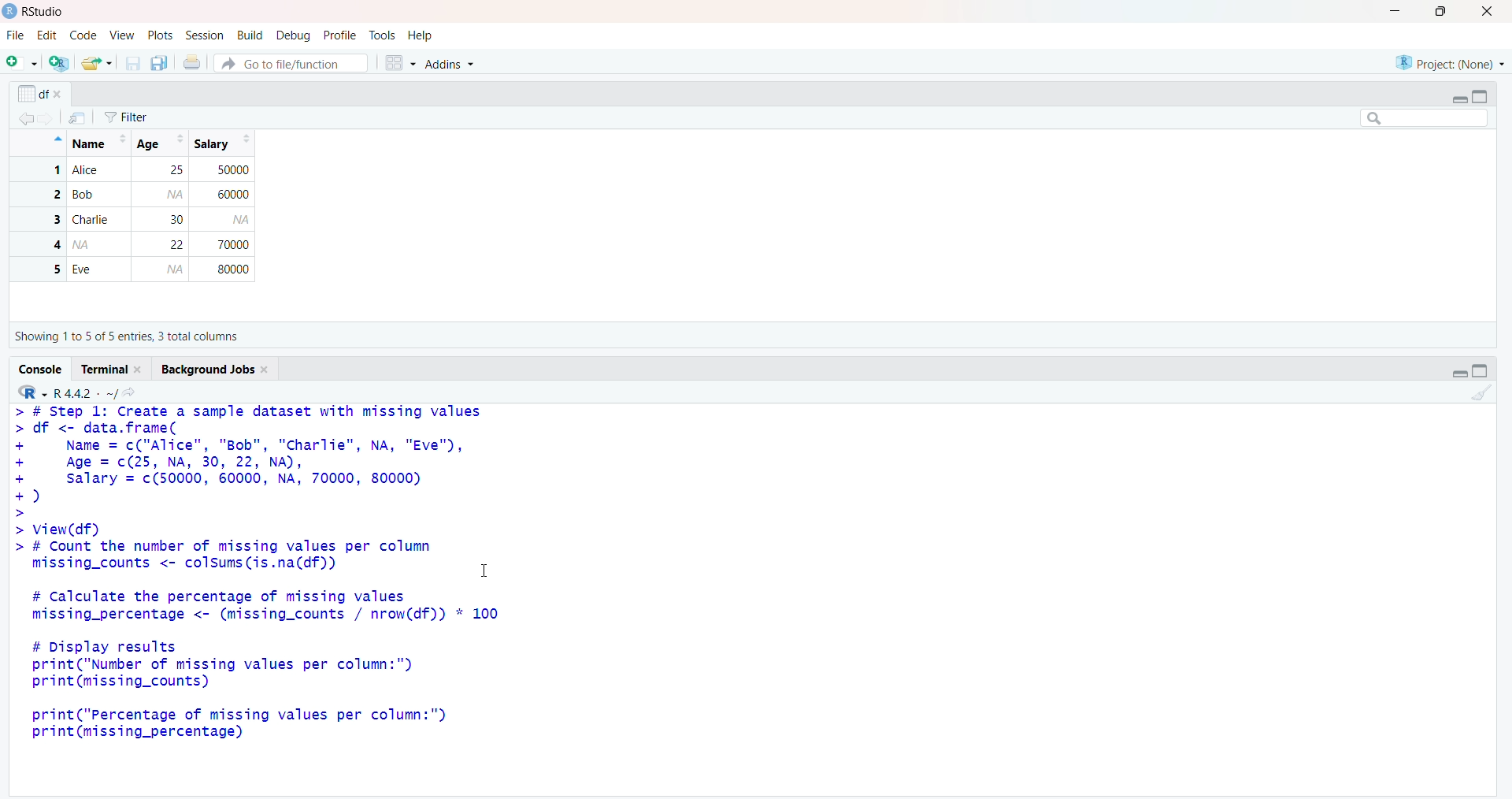  What do you see at coordinates (1480, 372) in the screenshot?
I see `Maximize` at bounding box center [1480, 372].